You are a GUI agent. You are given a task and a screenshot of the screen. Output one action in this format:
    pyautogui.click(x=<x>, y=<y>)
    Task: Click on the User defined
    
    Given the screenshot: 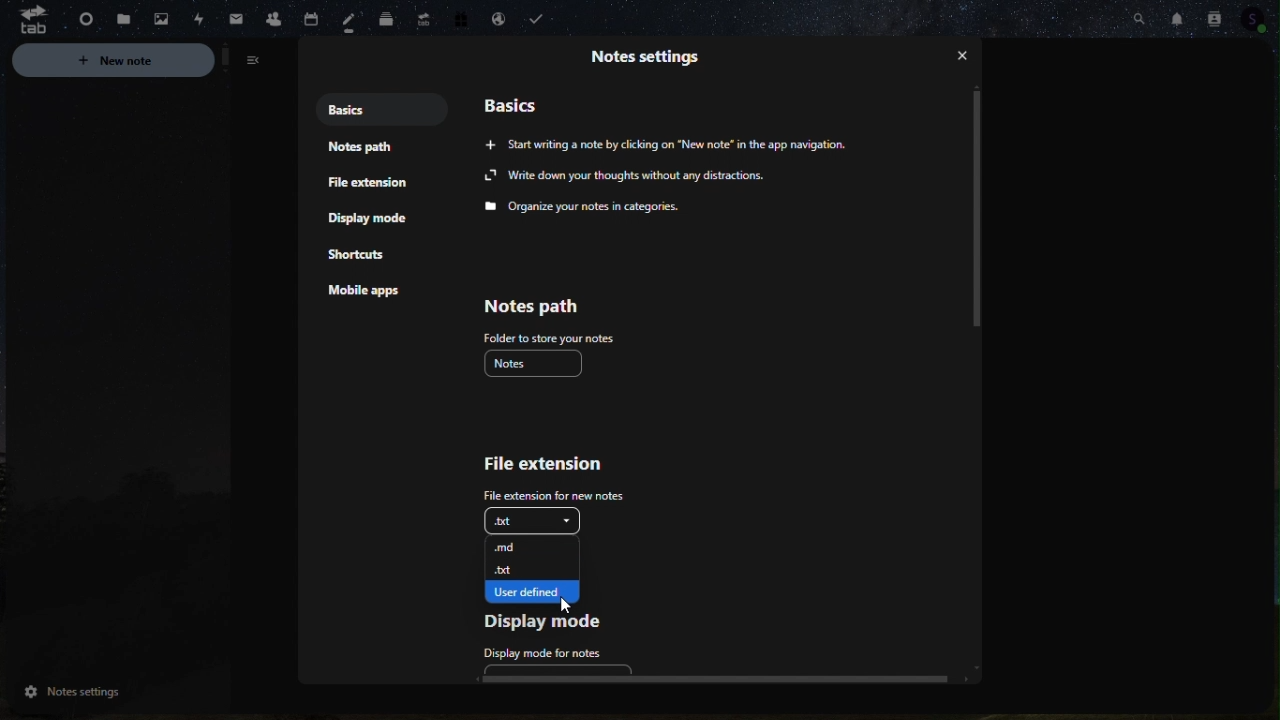 What is the action you would take?
    pyautogui.click(x=534, y=593)
    